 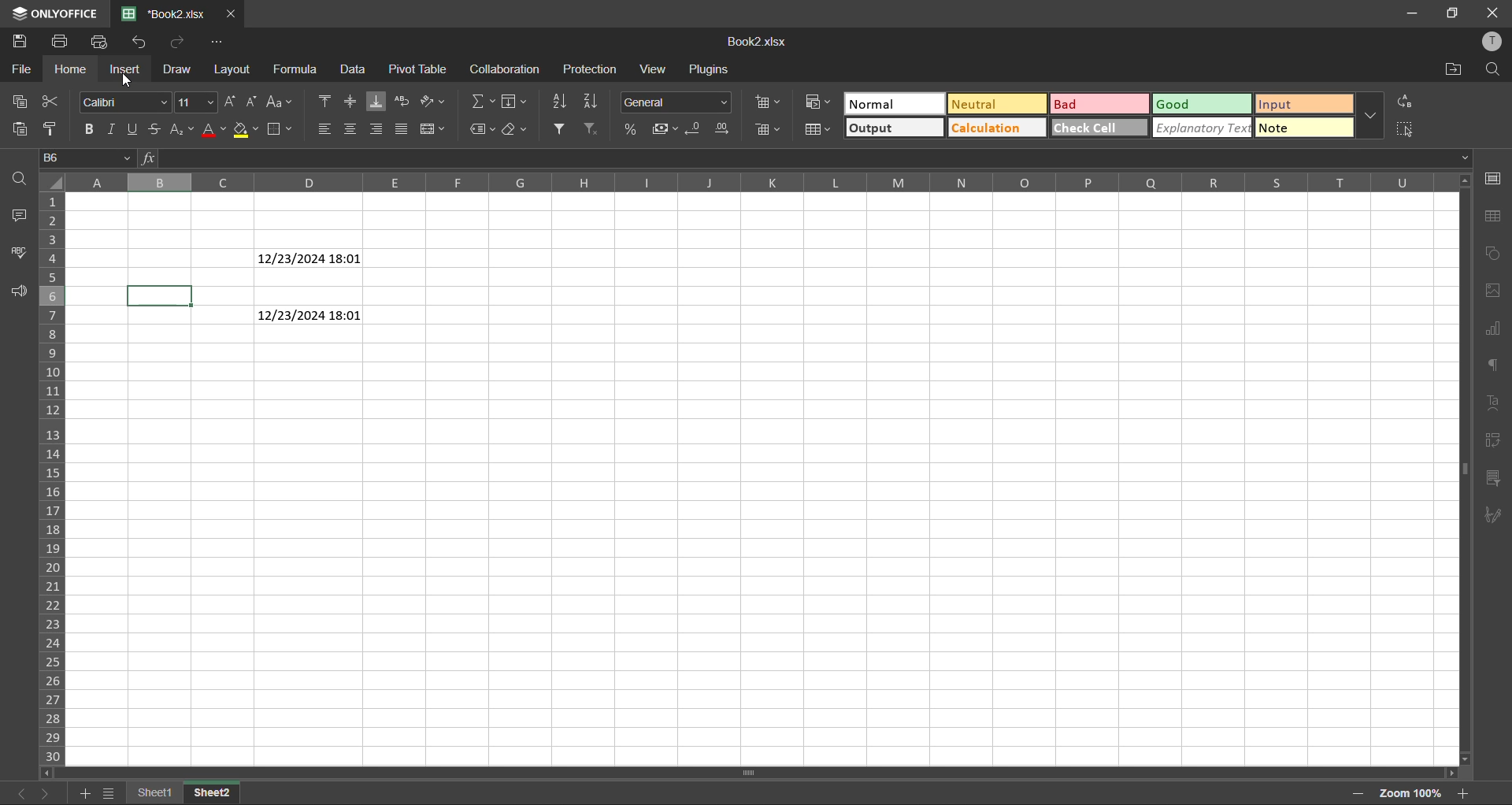 What do you see at coordinates (1492, 180) in the screenshot?
I see `cell settings` at bounding box center [1492, 180].